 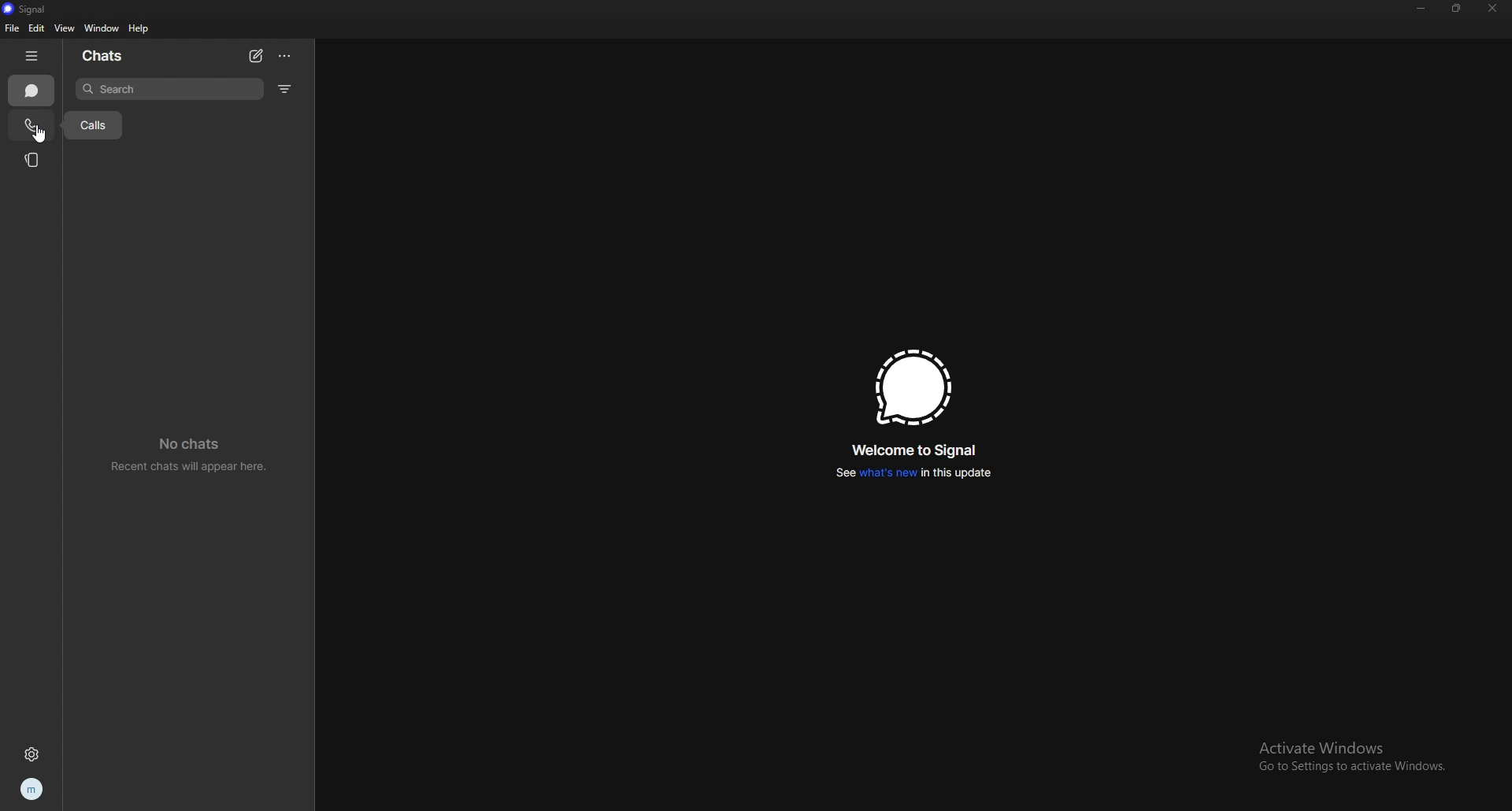 I want to click on hide tab, so click(x=32, y=55).